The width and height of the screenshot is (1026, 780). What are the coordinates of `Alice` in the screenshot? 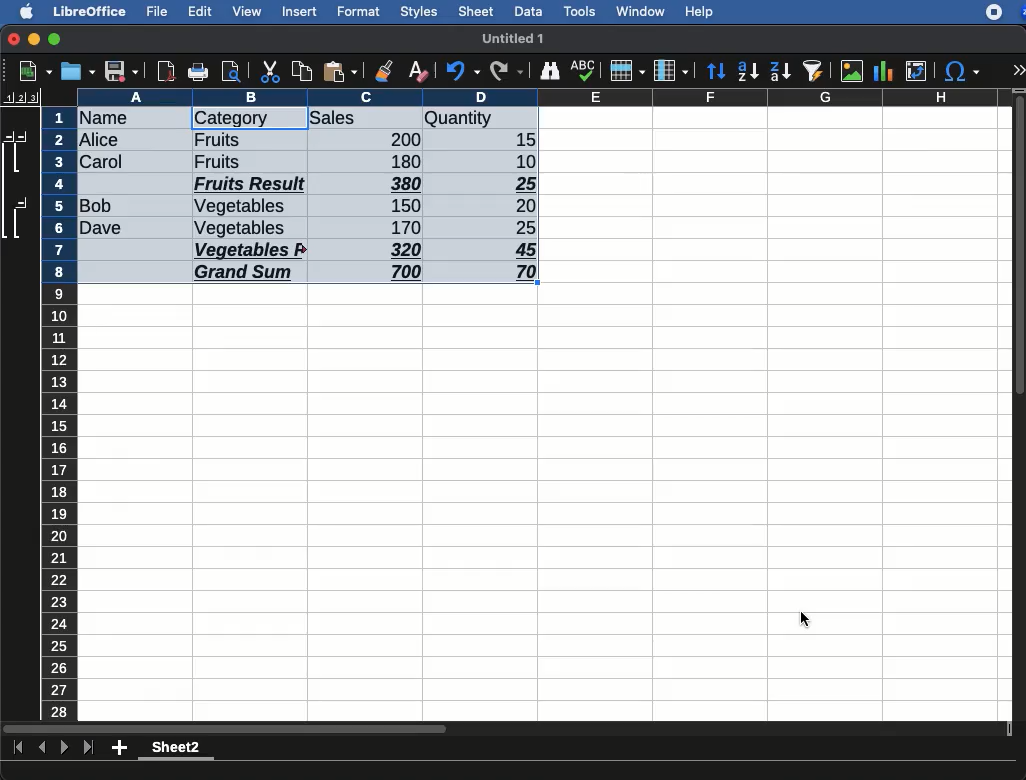 It's located at (110, 141).